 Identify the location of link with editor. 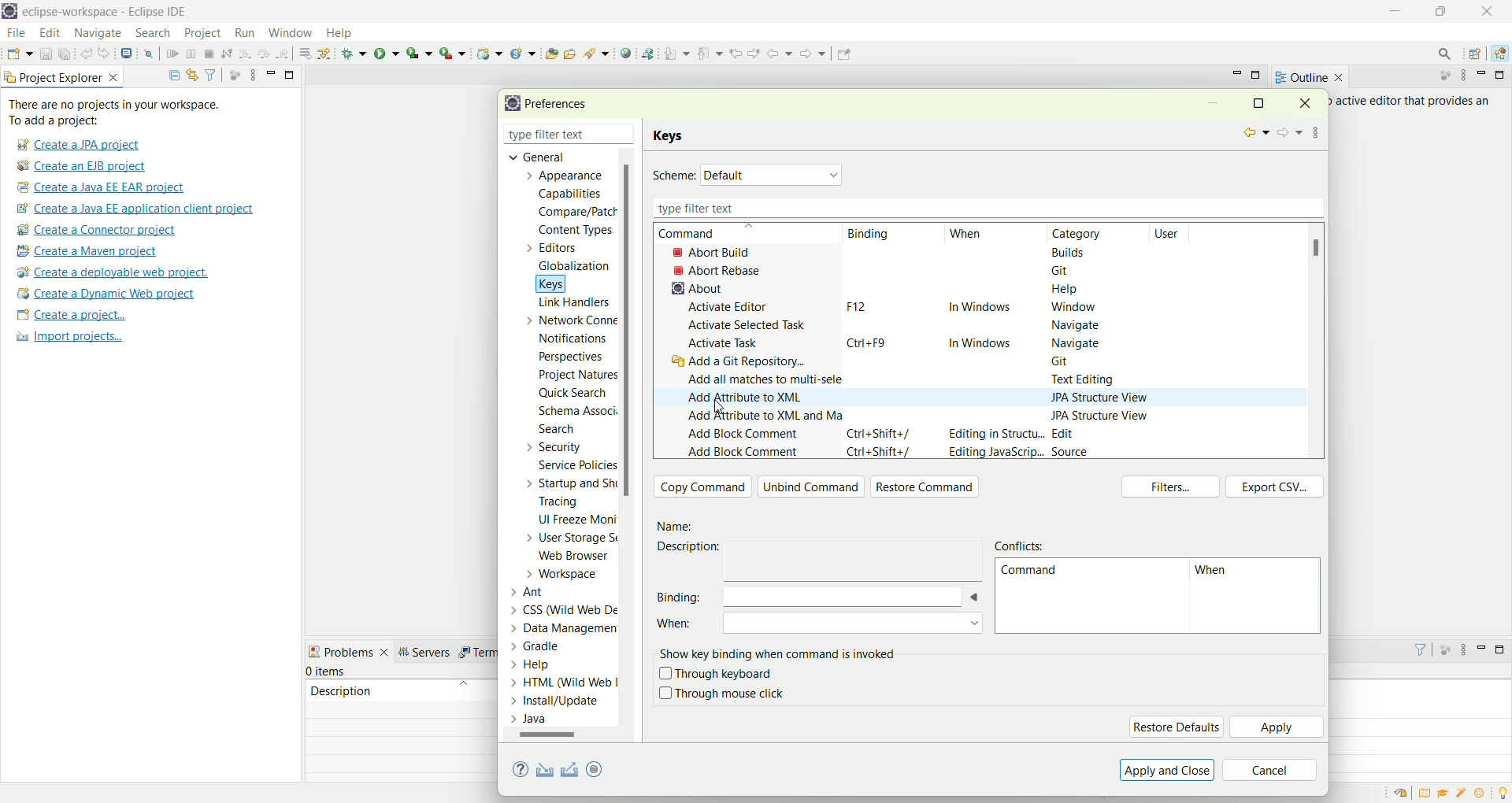
(193, 75).